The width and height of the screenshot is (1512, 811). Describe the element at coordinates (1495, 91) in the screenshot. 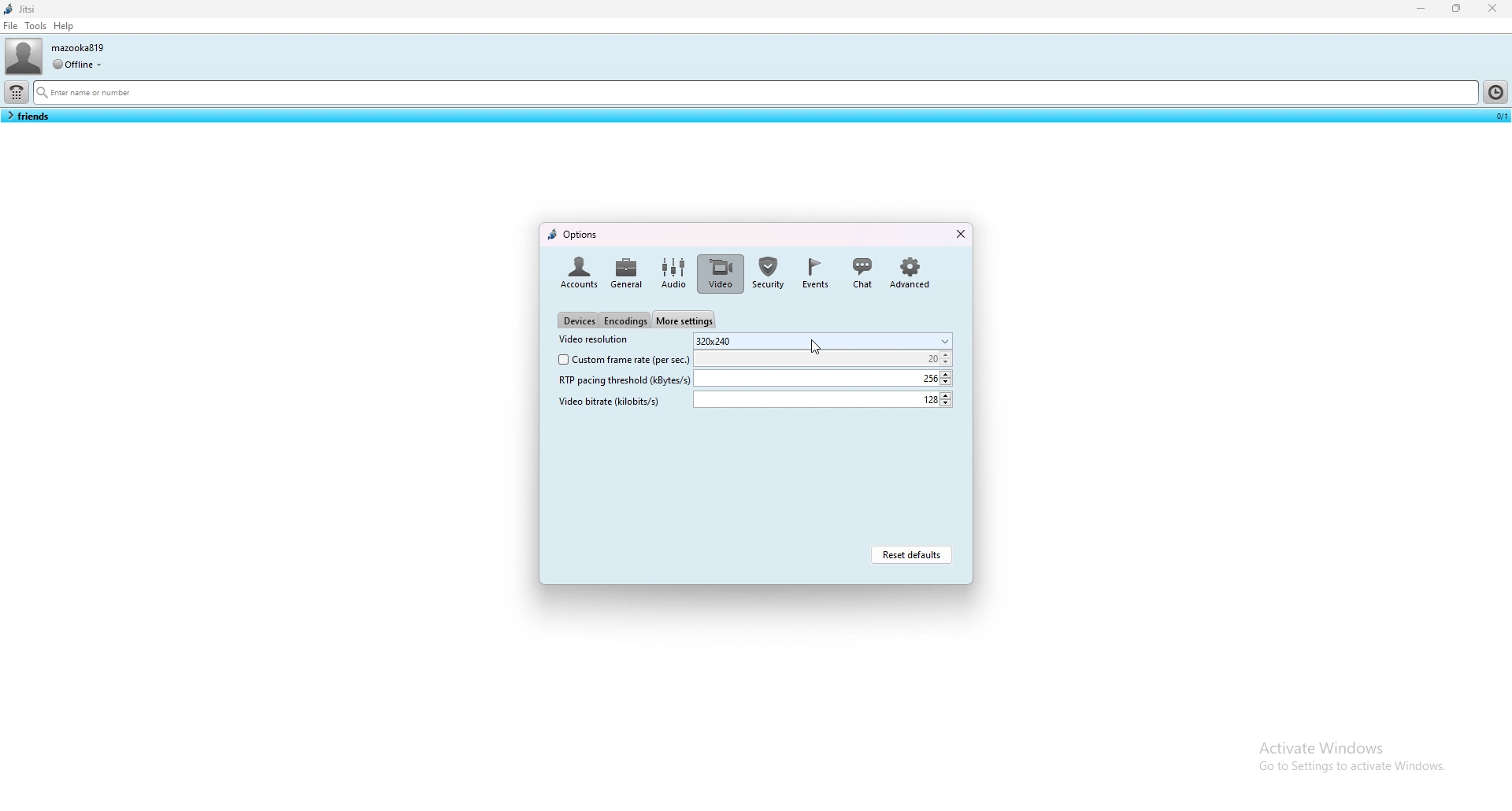

I see `history` at that location.